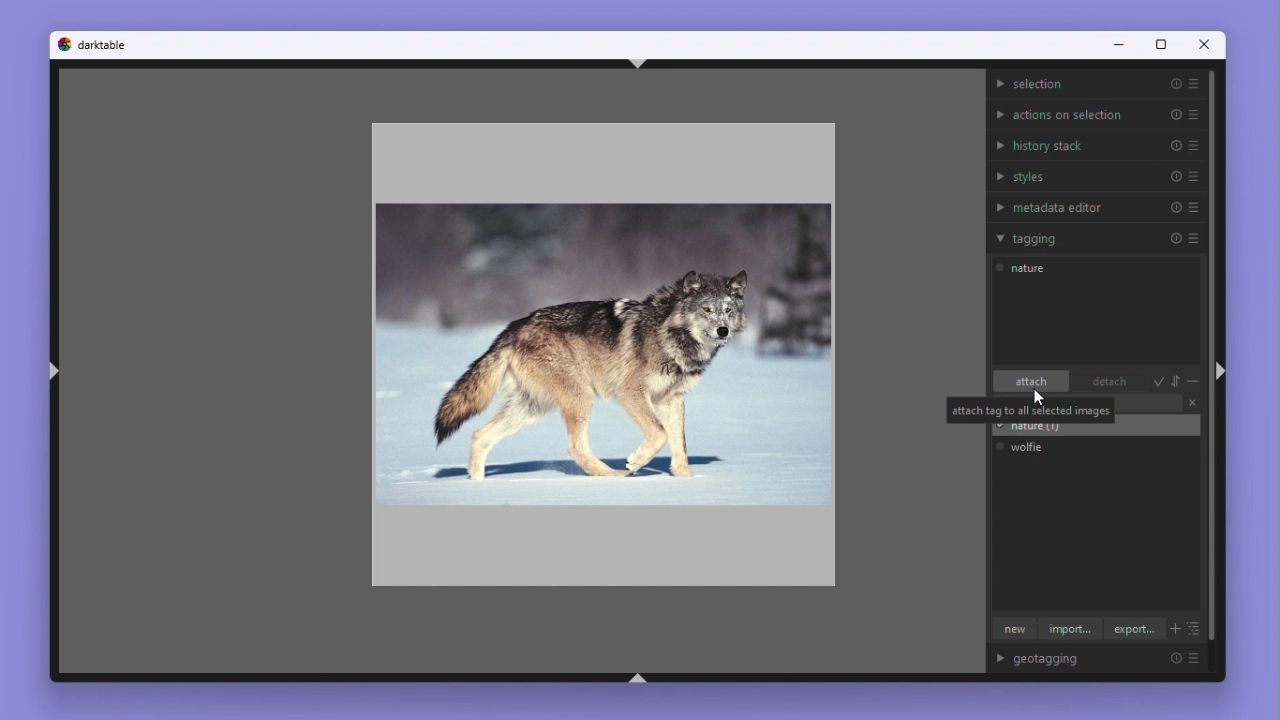 The image size is (1280, 720). Describe the element at coordinates (53, 373) in the screenshot. I see `ctrl+shift+l` at that location.